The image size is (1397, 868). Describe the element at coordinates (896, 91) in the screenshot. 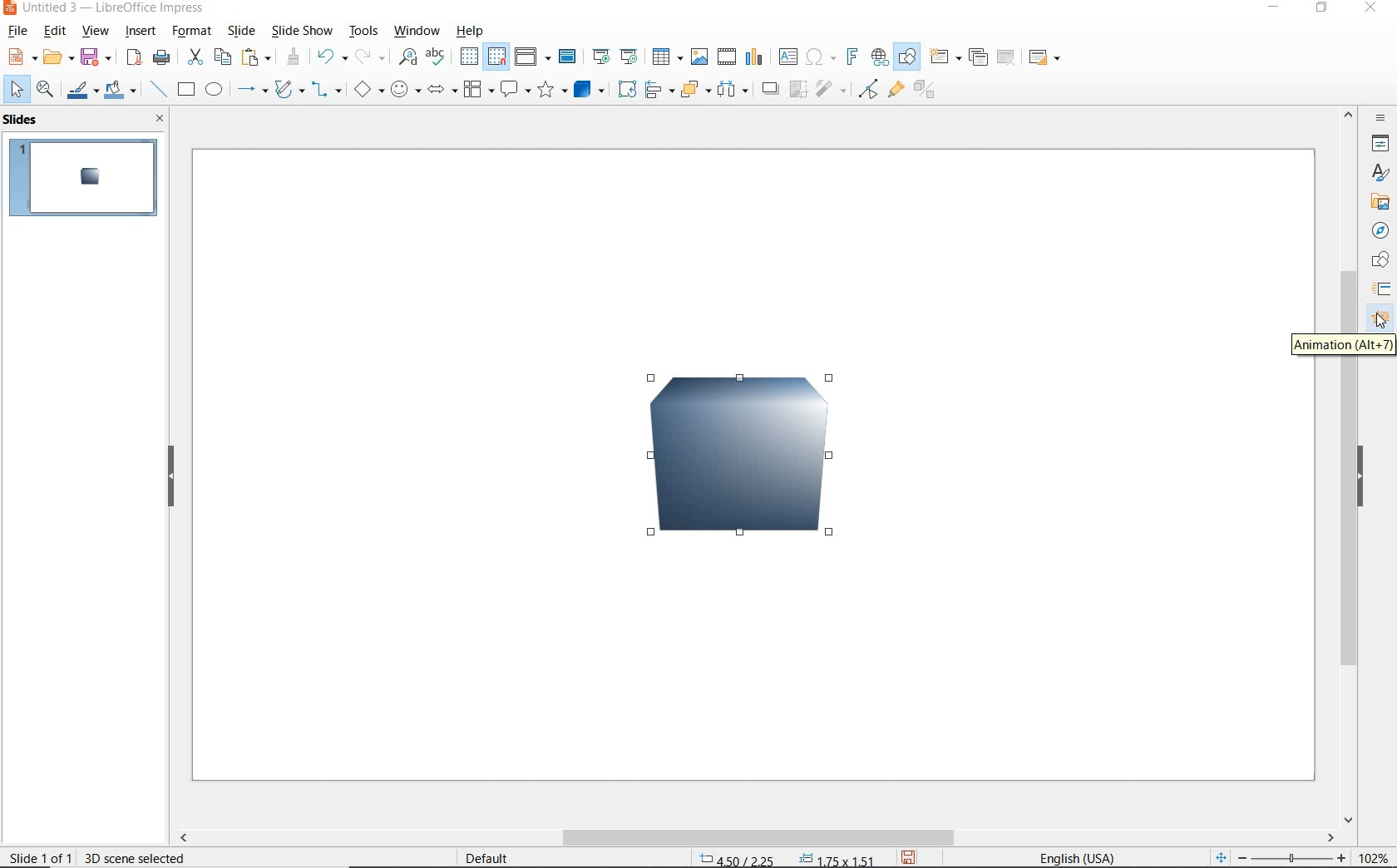

I see `show gluepoint functions` at that location.